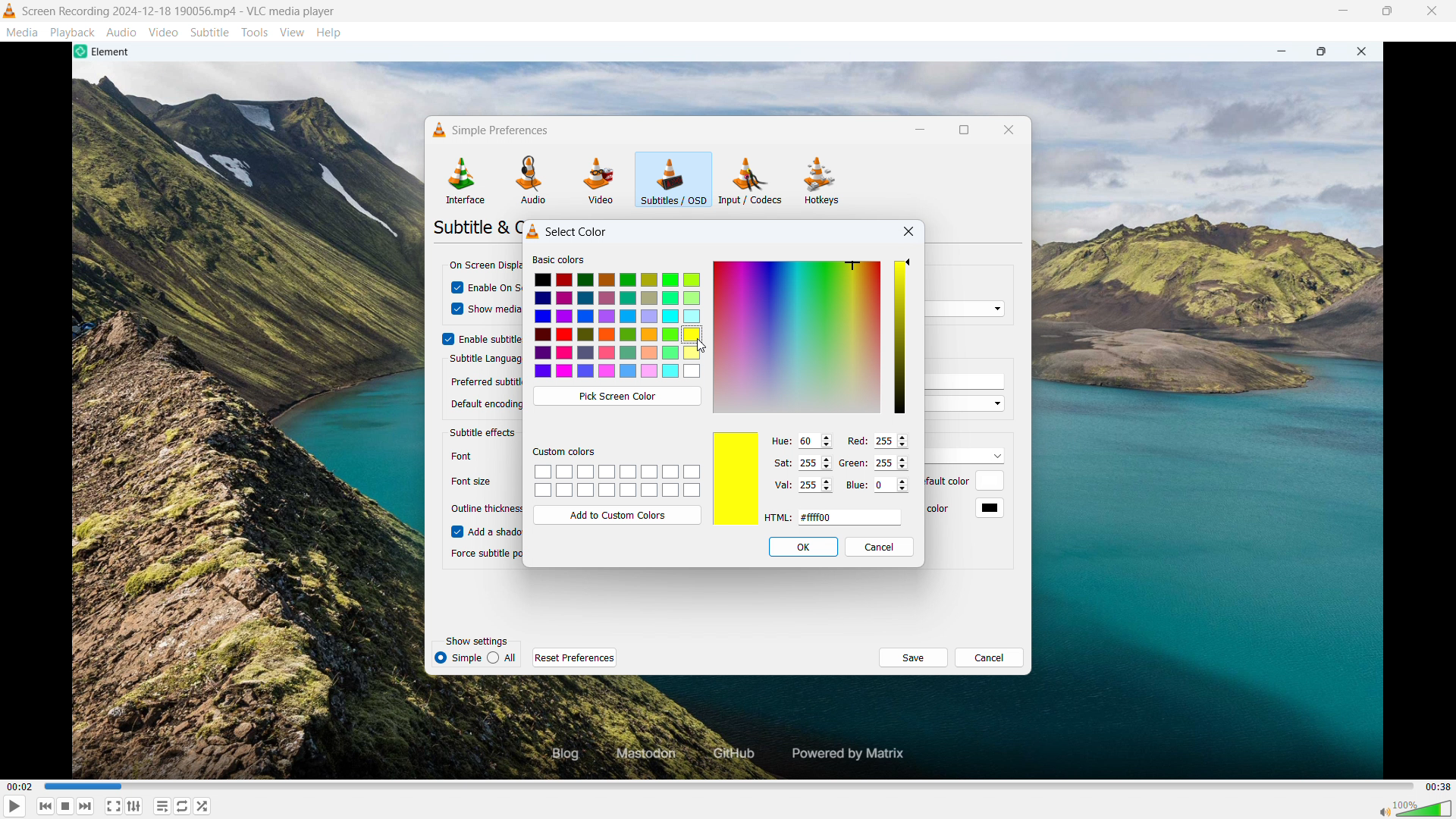  Describe the element at coordinates (899, 337) in the screenshot. I see `select opacity` at that location.